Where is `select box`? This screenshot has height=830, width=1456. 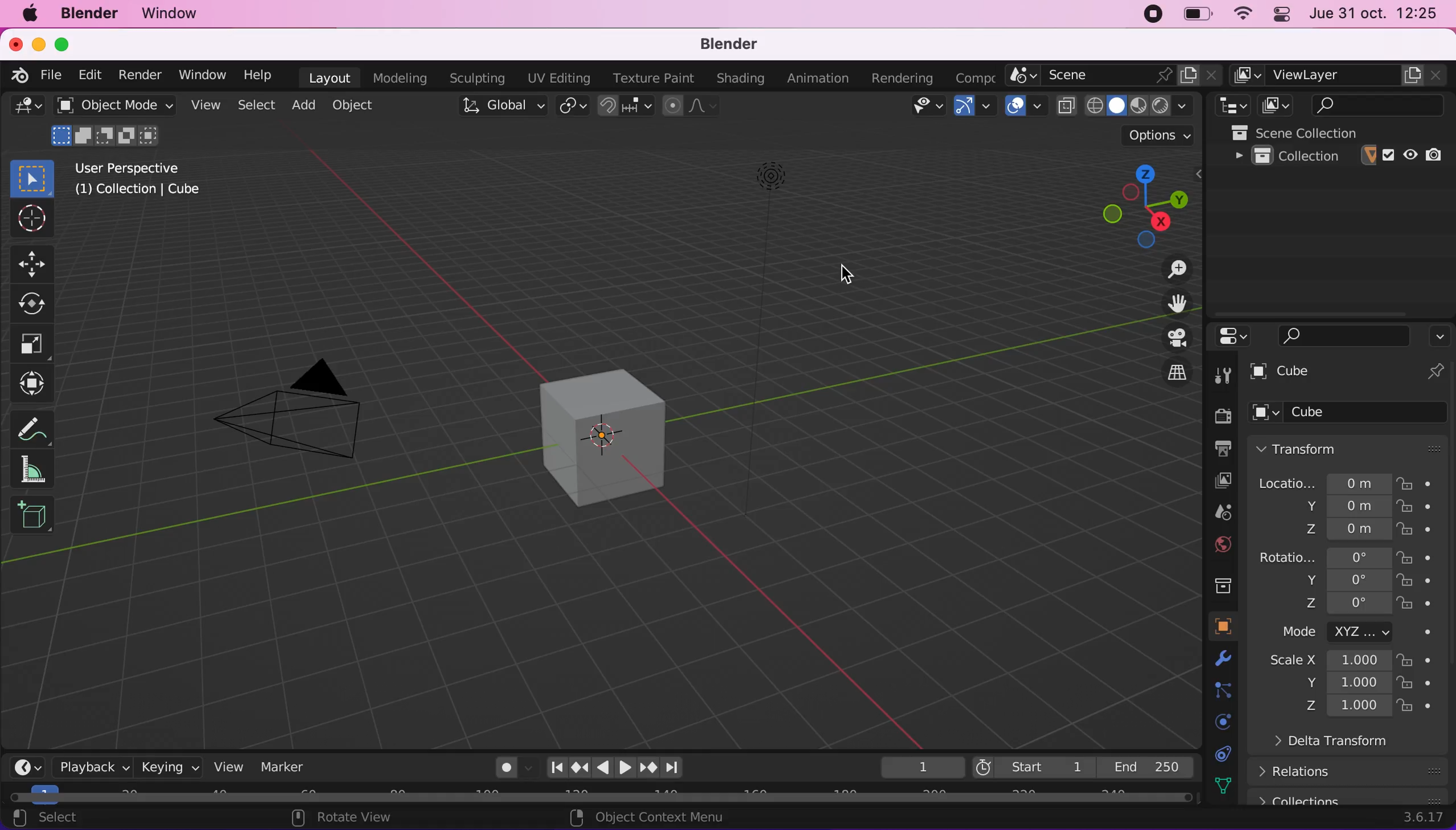
select box is located at coordinates (31, 176).